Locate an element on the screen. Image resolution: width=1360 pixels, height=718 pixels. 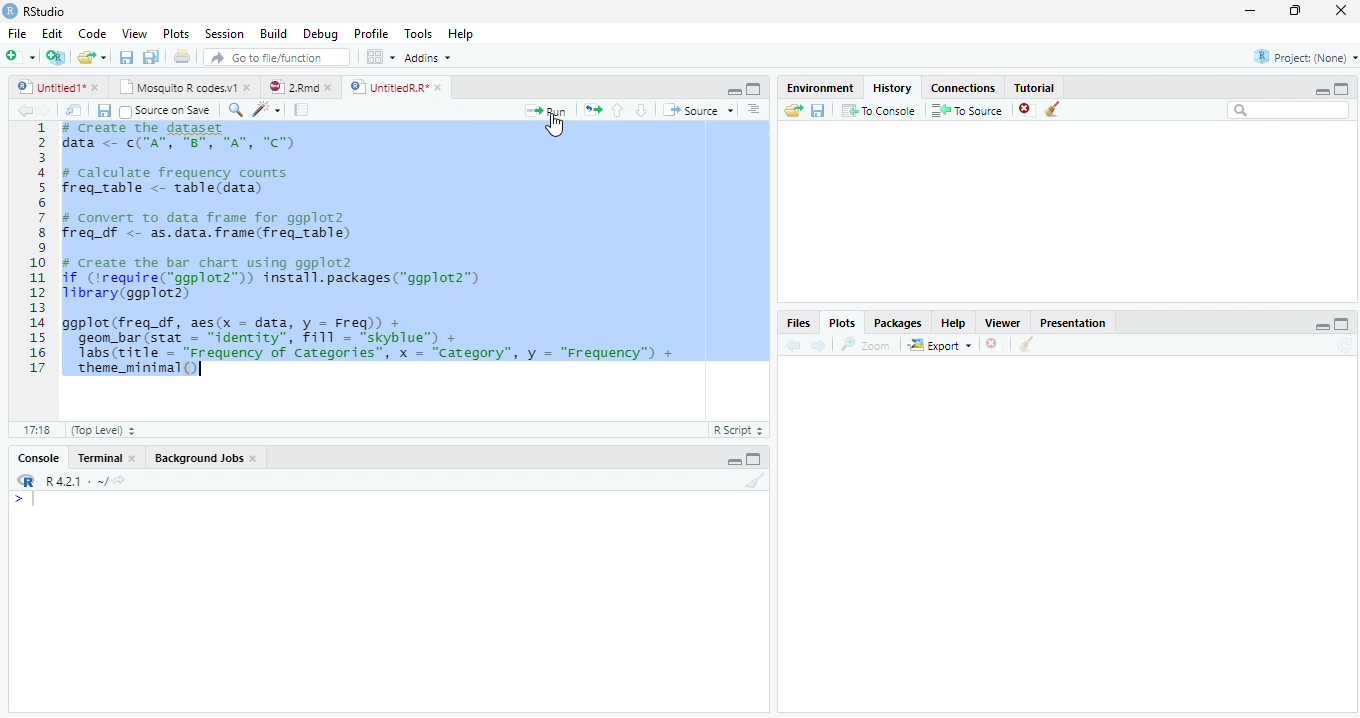
Presentation is located at coordinates (1073, 322).